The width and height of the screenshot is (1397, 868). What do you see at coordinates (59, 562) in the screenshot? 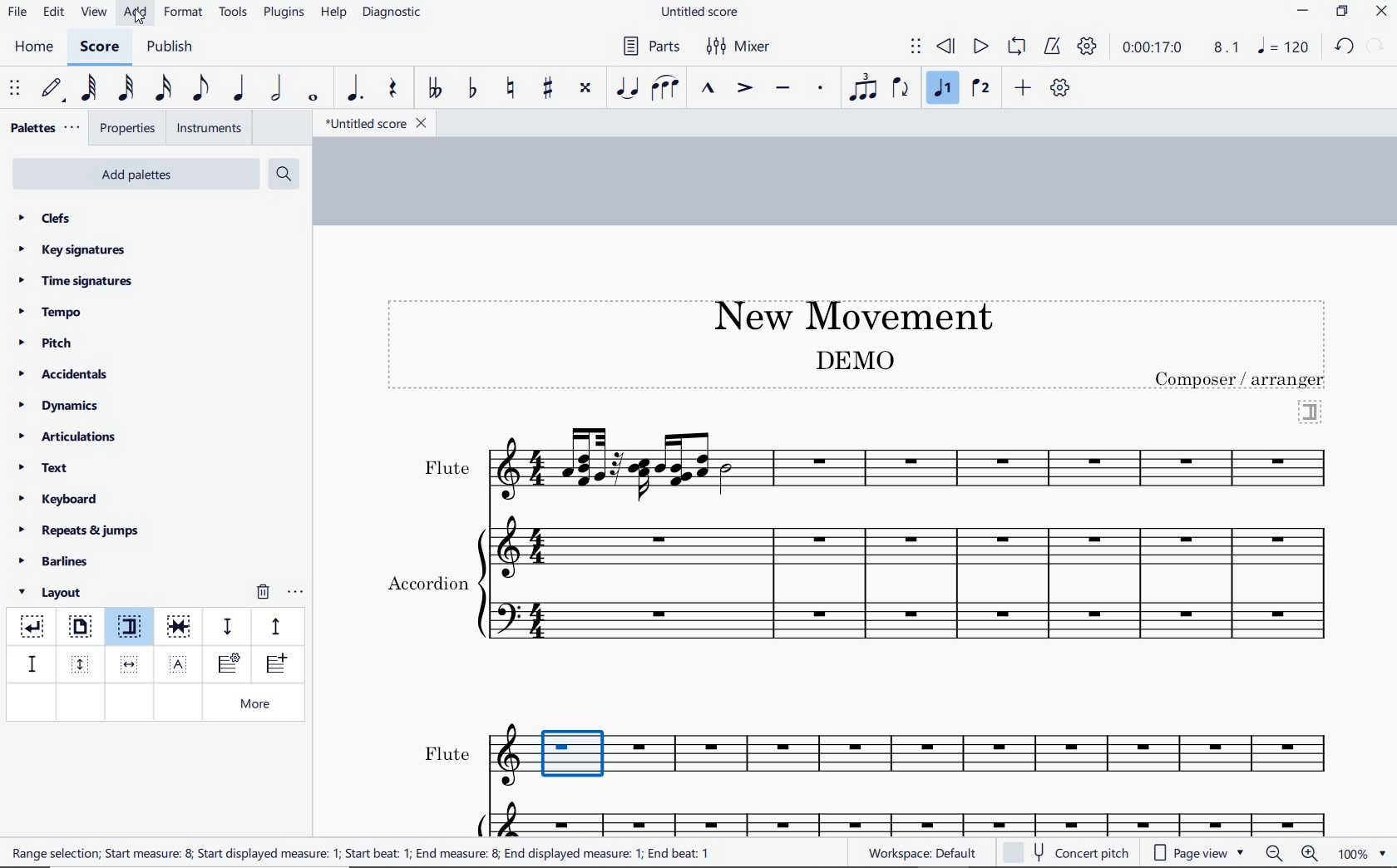
I see `barlines` at bounding box center [59, 562].